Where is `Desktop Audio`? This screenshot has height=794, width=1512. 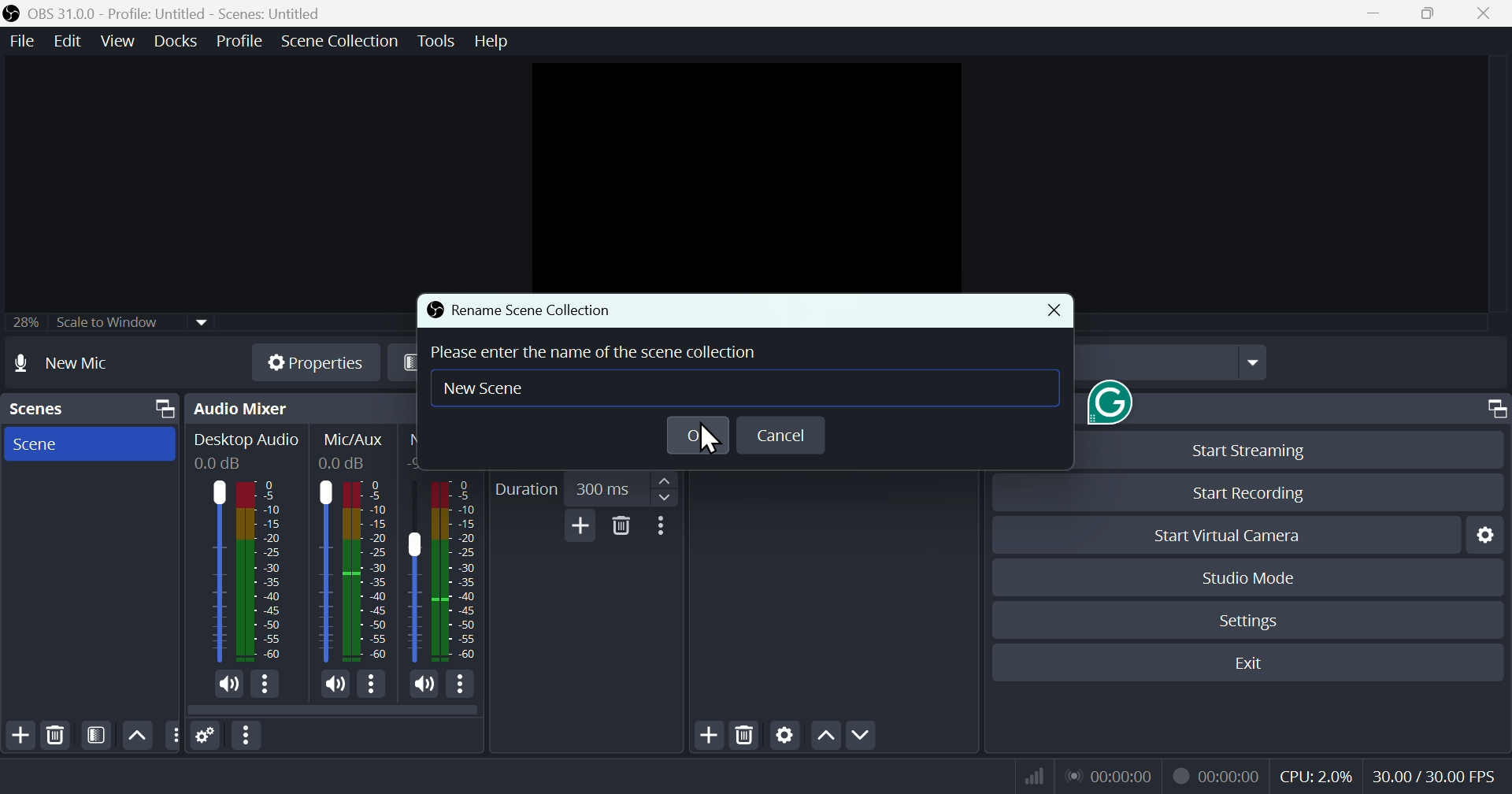 Desktop Audio is located at coordinates (217, 570).